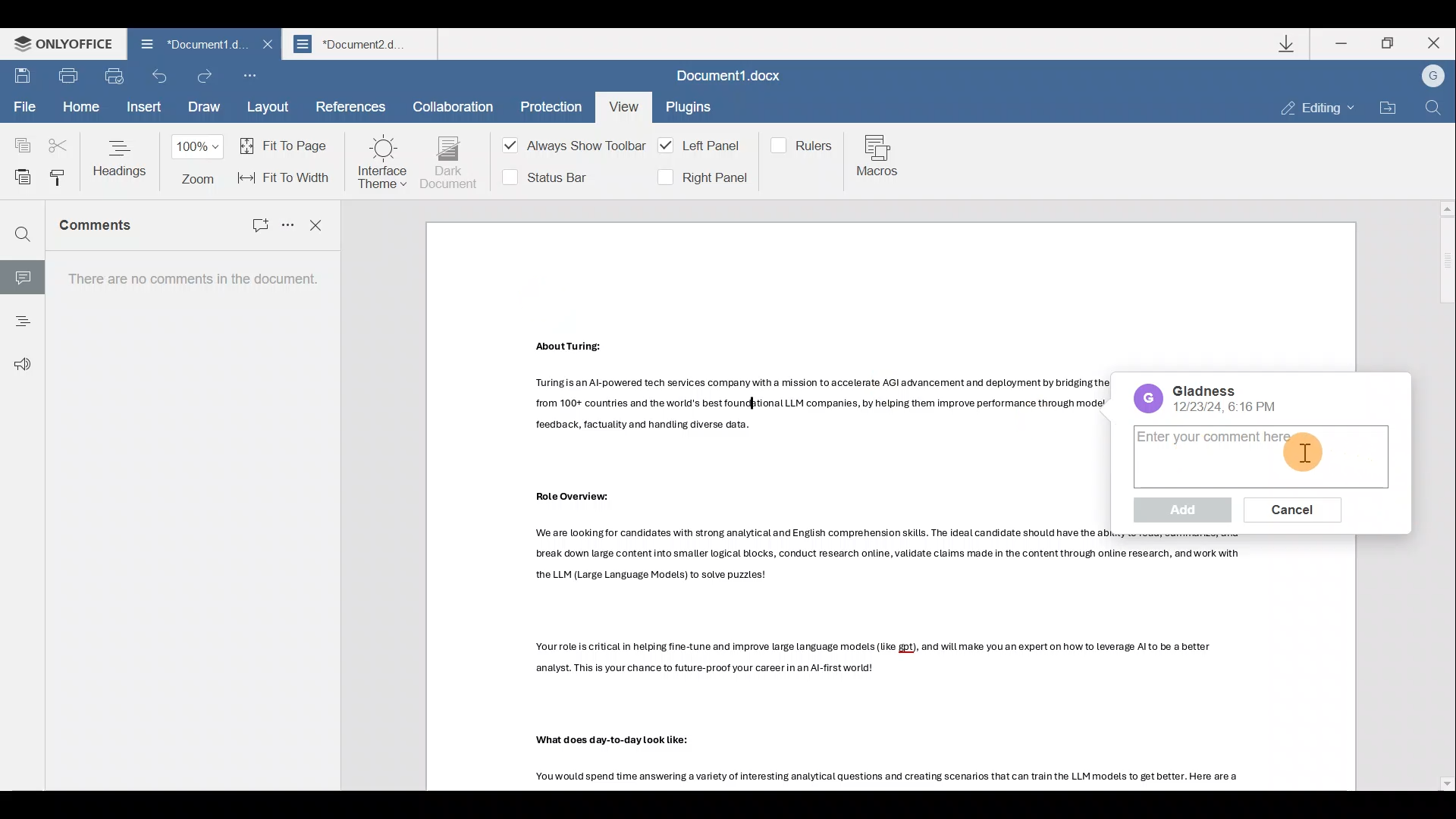  What do you see at coordinates (22, 275) in the screenshot?
I see `Comment` at bounding box center [22, 275].